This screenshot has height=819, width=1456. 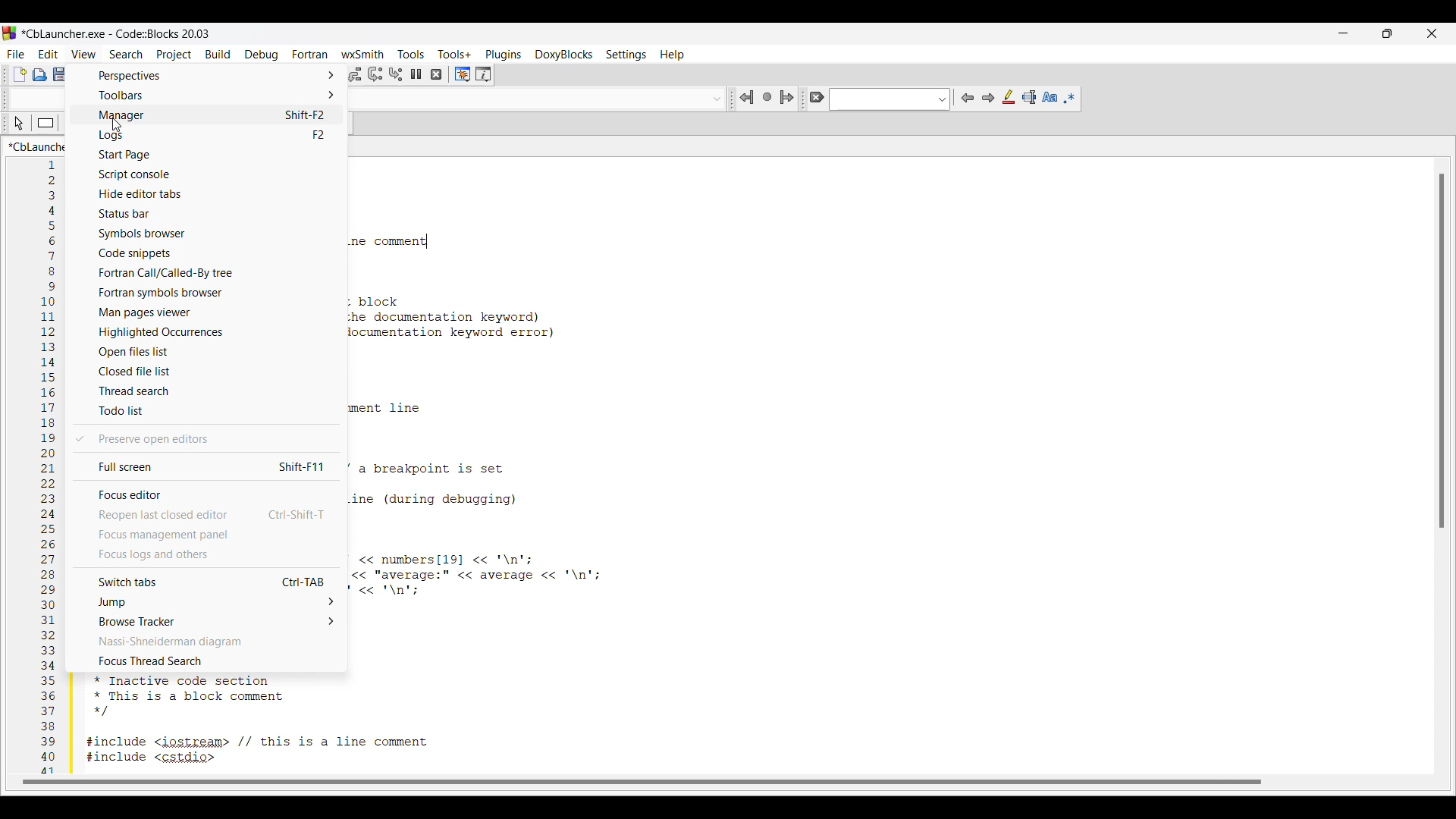 I want to click on Previous, so click(x=968, y=98).